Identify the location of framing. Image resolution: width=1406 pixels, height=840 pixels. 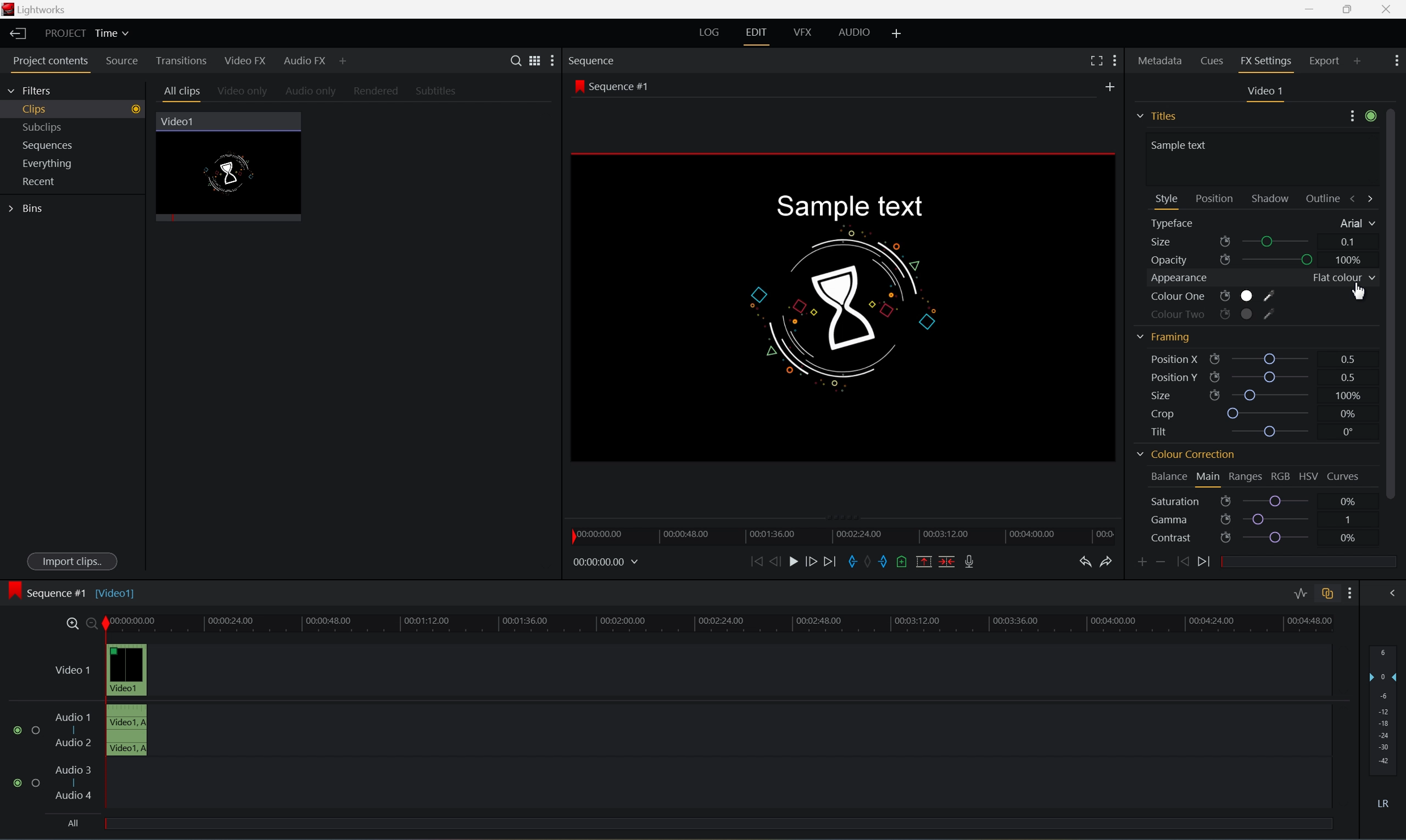
(1163, 337).